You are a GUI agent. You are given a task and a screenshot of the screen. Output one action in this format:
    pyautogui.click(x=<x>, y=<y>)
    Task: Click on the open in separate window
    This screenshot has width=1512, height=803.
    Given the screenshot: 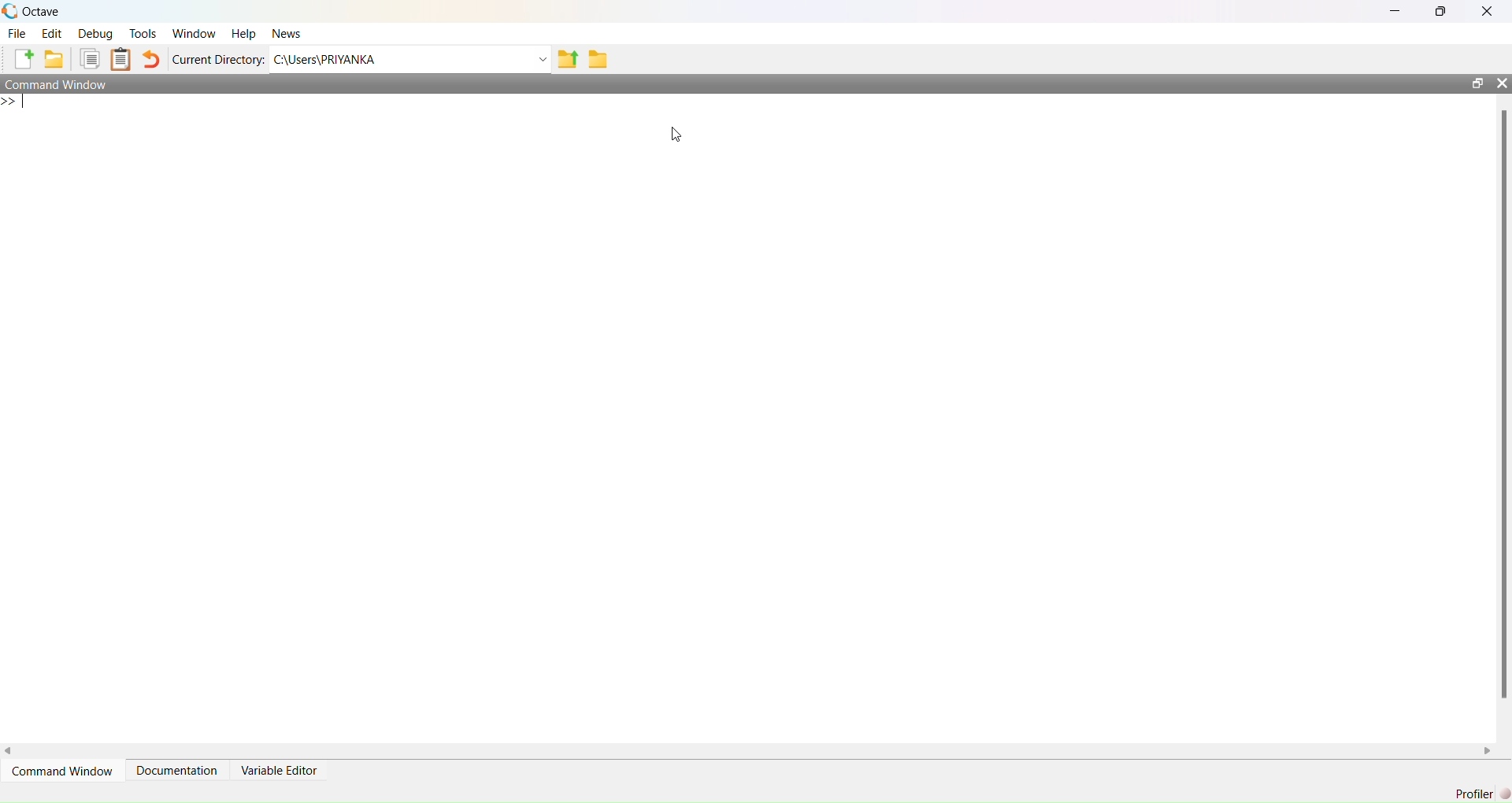 What is the action you would take?
    pyautogui.click(x=1478, y=83)
    